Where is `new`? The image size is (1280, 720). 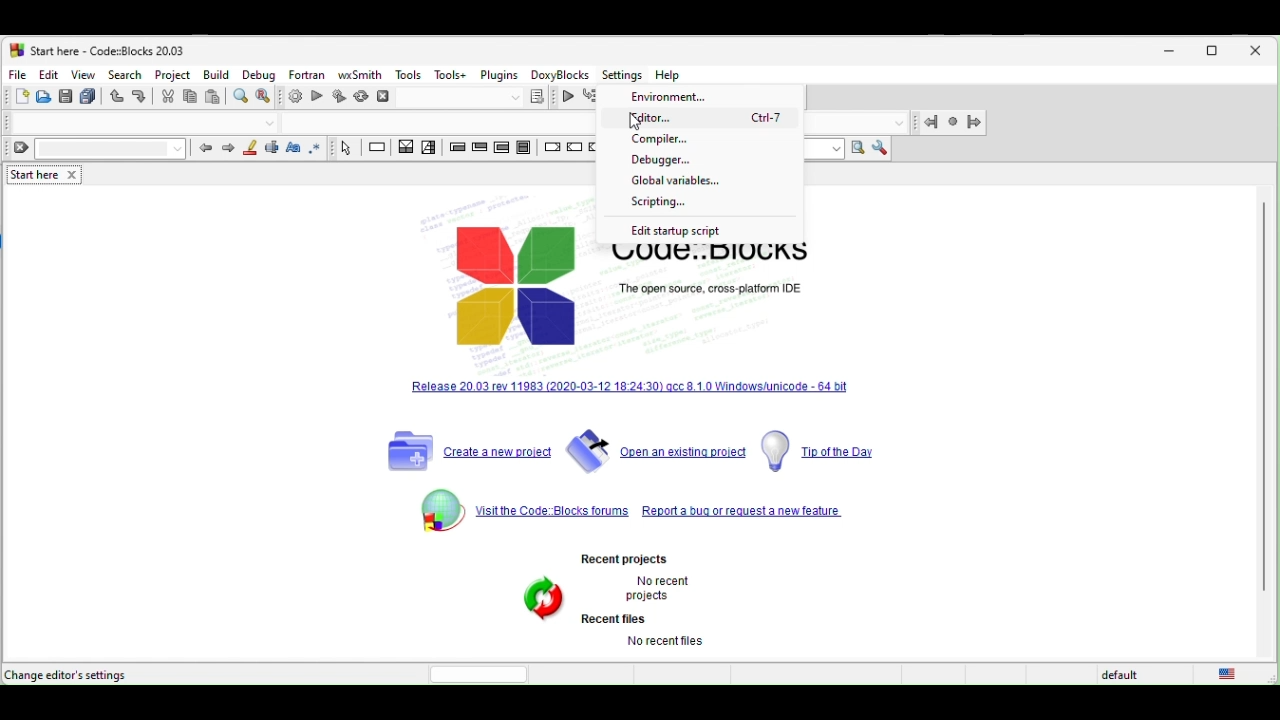 new is located at coordinates (16, 97).